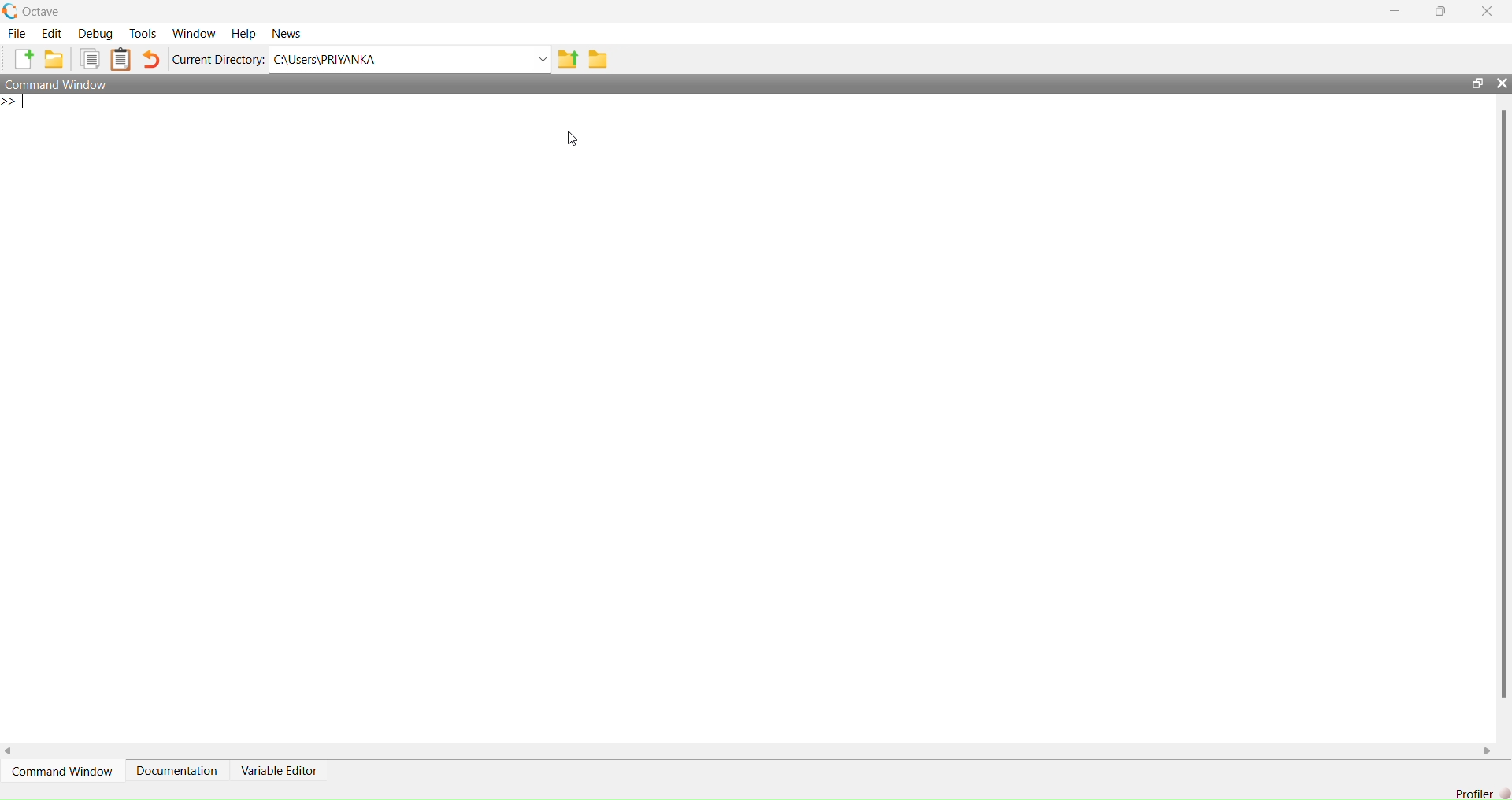 The height and width of the screenshot is (800, 1512). I want to click on File, so click(18, 33).